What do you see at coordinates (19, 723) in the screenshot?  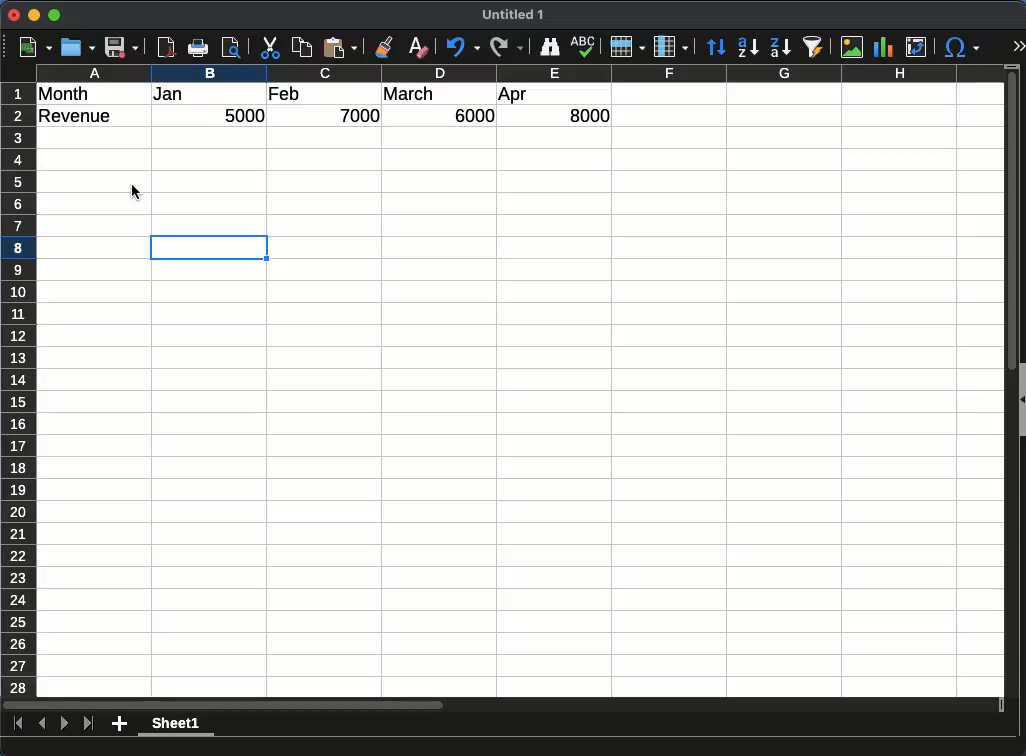 I see `first sheet` at bounding box center [19, 723].